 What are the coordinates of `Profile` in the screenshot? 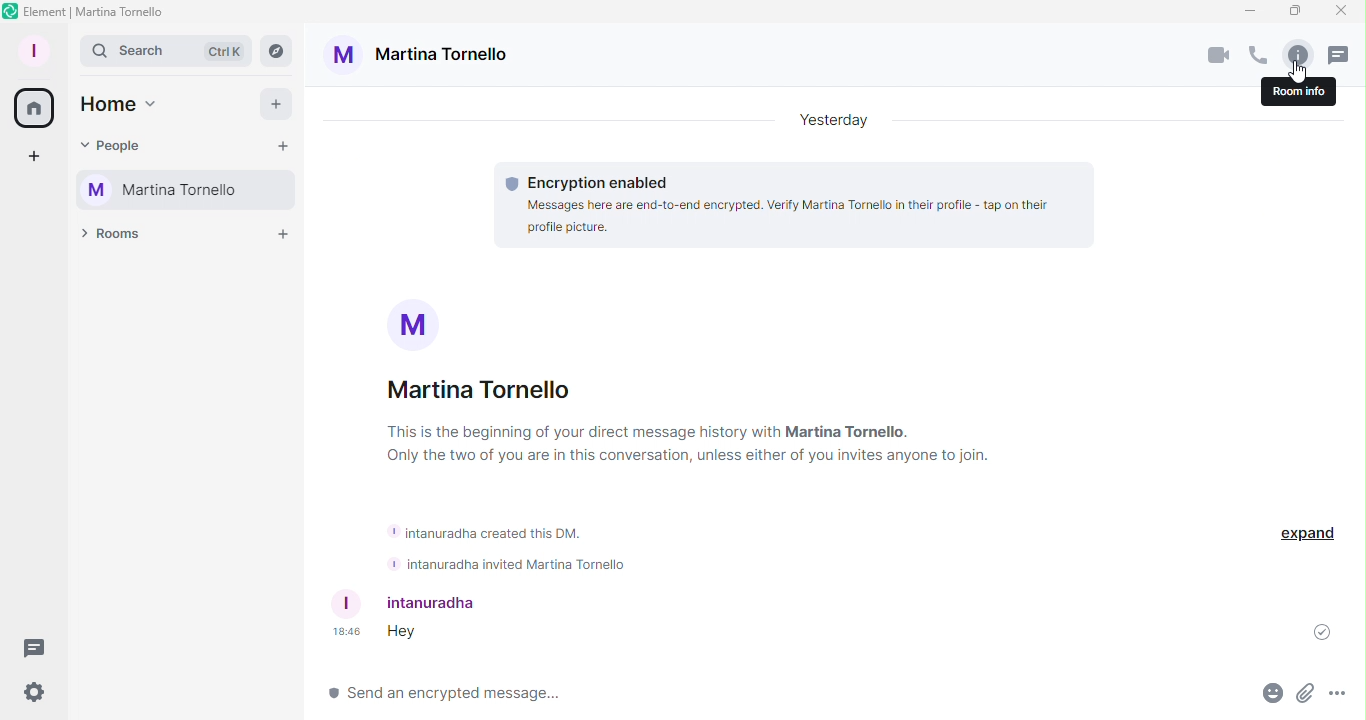 It's located at (31, 48).